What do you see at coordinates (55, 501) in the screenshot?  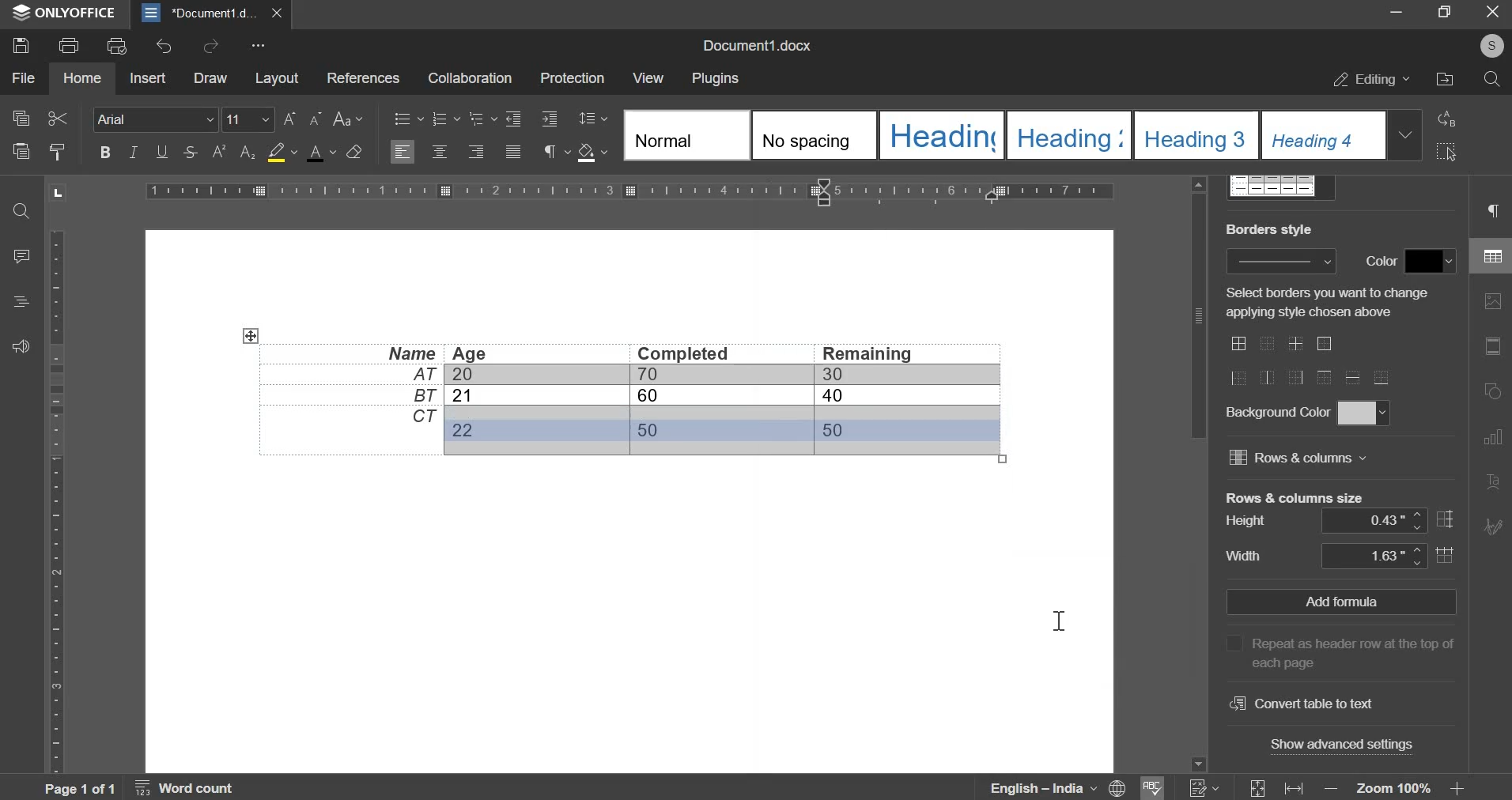 I see `vertical scale` at bounding box center [55, 501].